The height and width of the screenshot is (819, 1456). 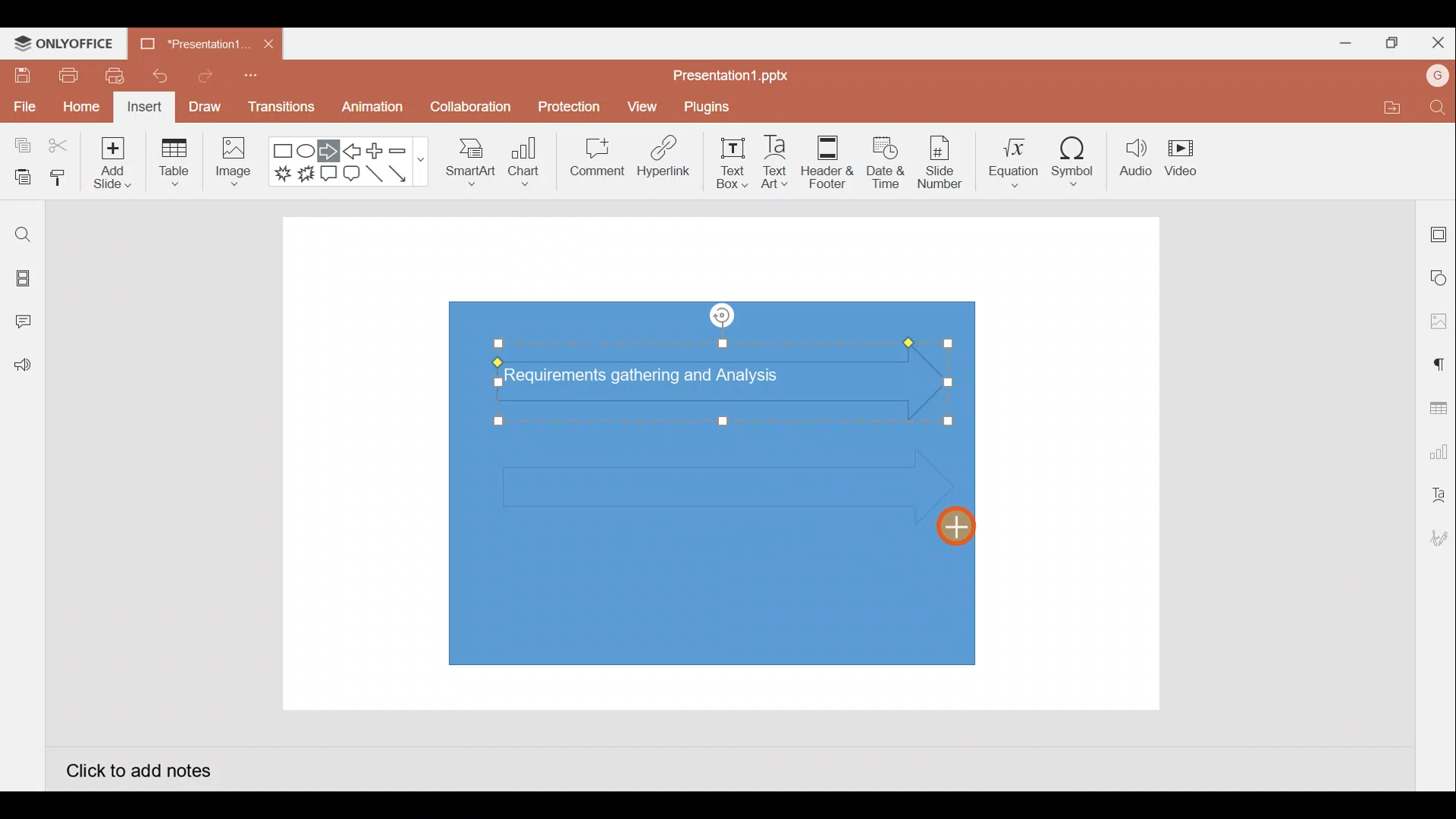 What do you see at coordinates (21, 281) in the screenshot?
I see `Slides` at bounding box center [21, 281].